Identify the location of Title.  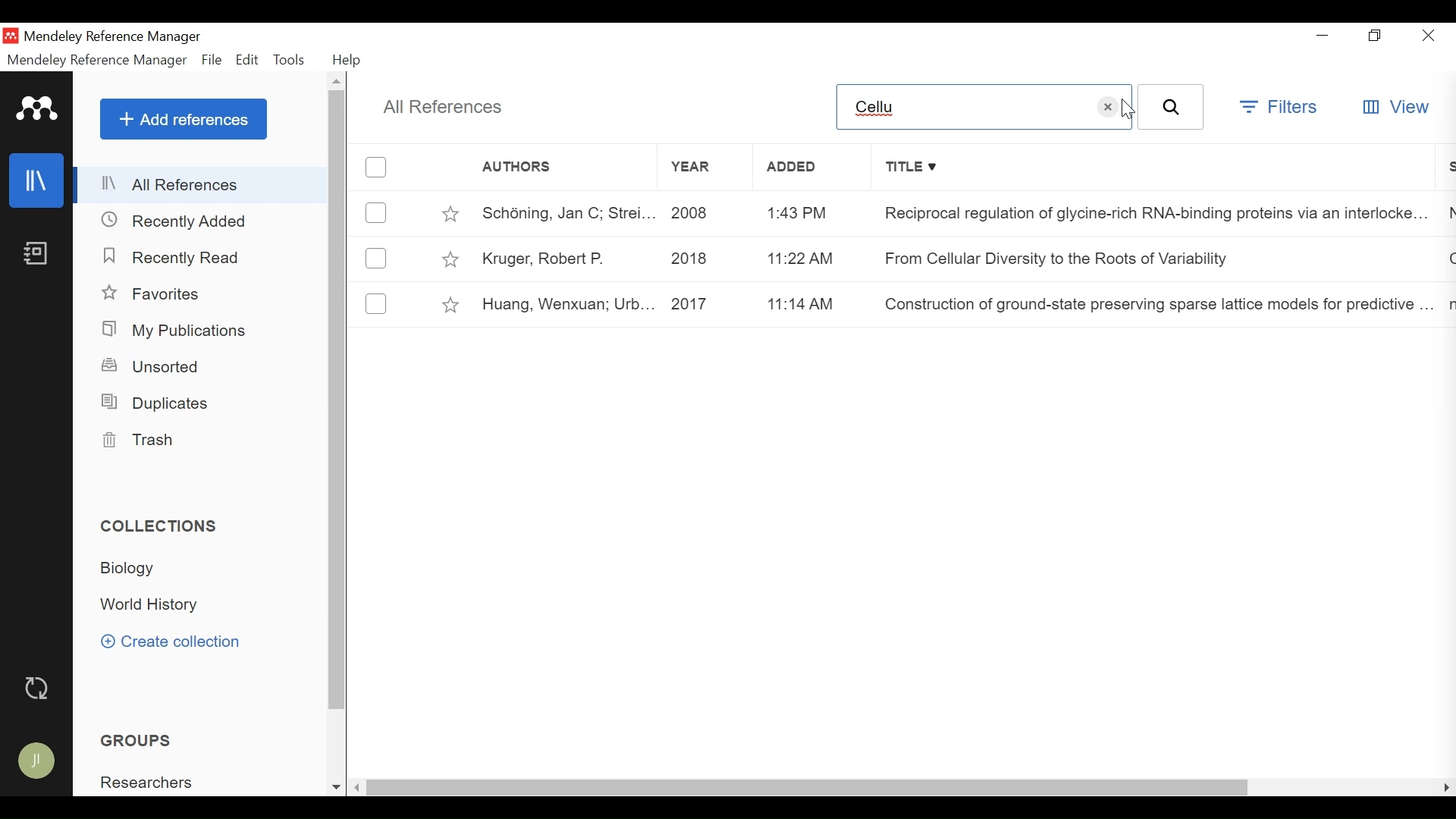
(1152, 168).